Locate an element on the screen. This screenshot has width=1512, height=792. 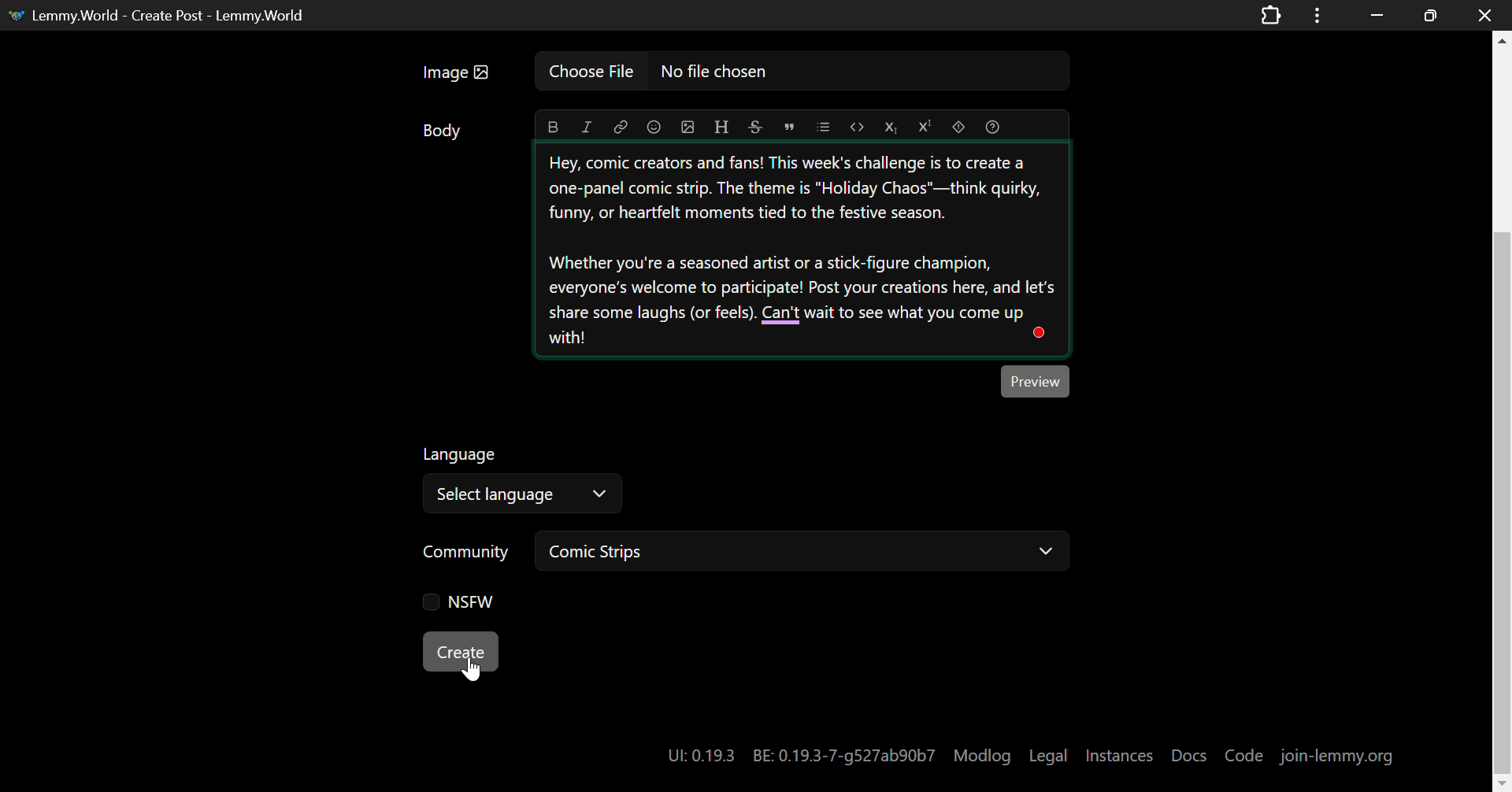
upload image is located at coordinates (688, 128).